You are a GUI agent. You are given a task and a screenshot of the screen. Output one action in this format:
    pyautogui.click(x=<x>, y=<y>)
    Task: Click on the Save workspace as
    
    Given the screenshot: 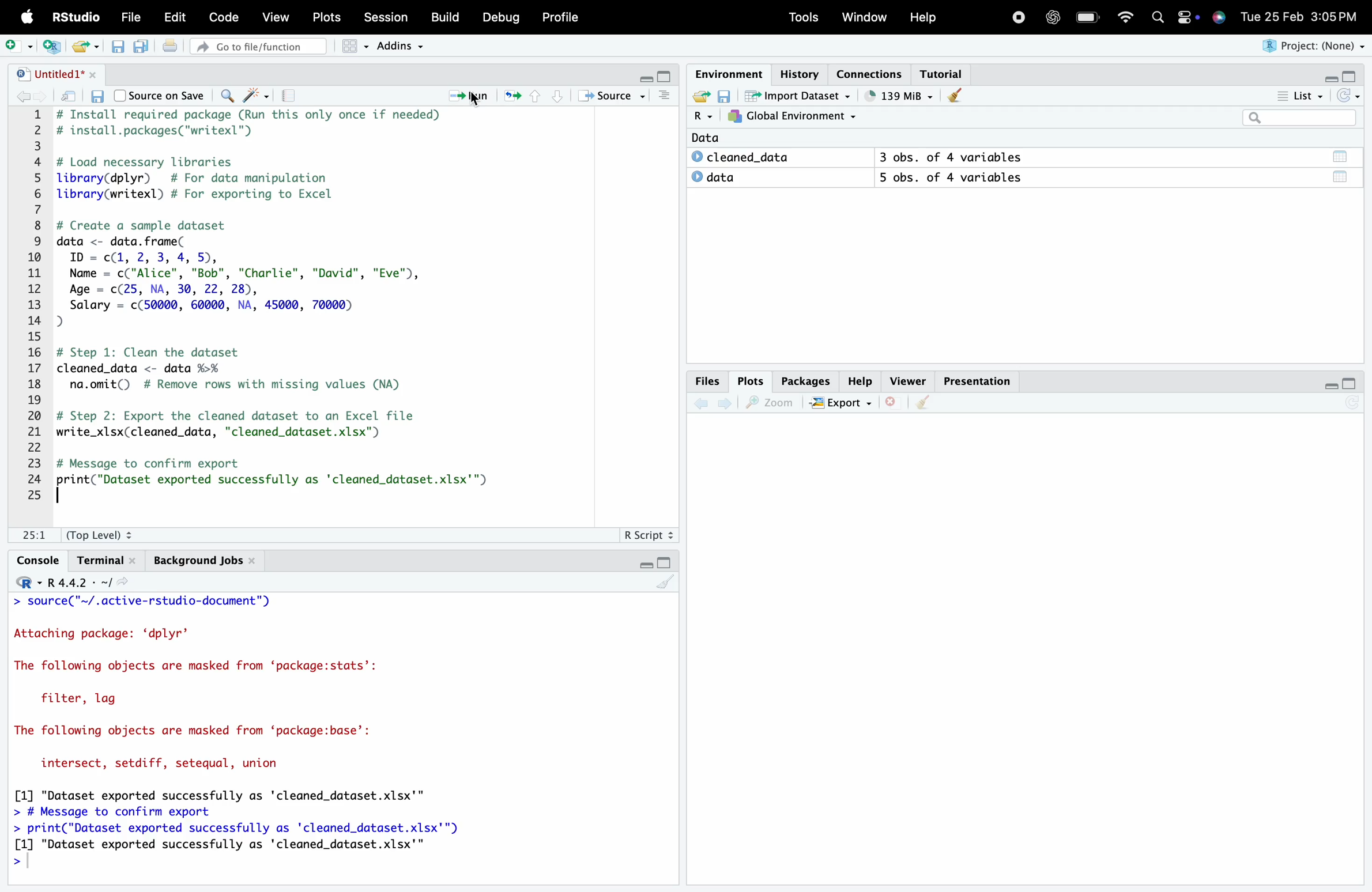 What is the action you would take?
    pyautogui.click(x=728, y=97)
    